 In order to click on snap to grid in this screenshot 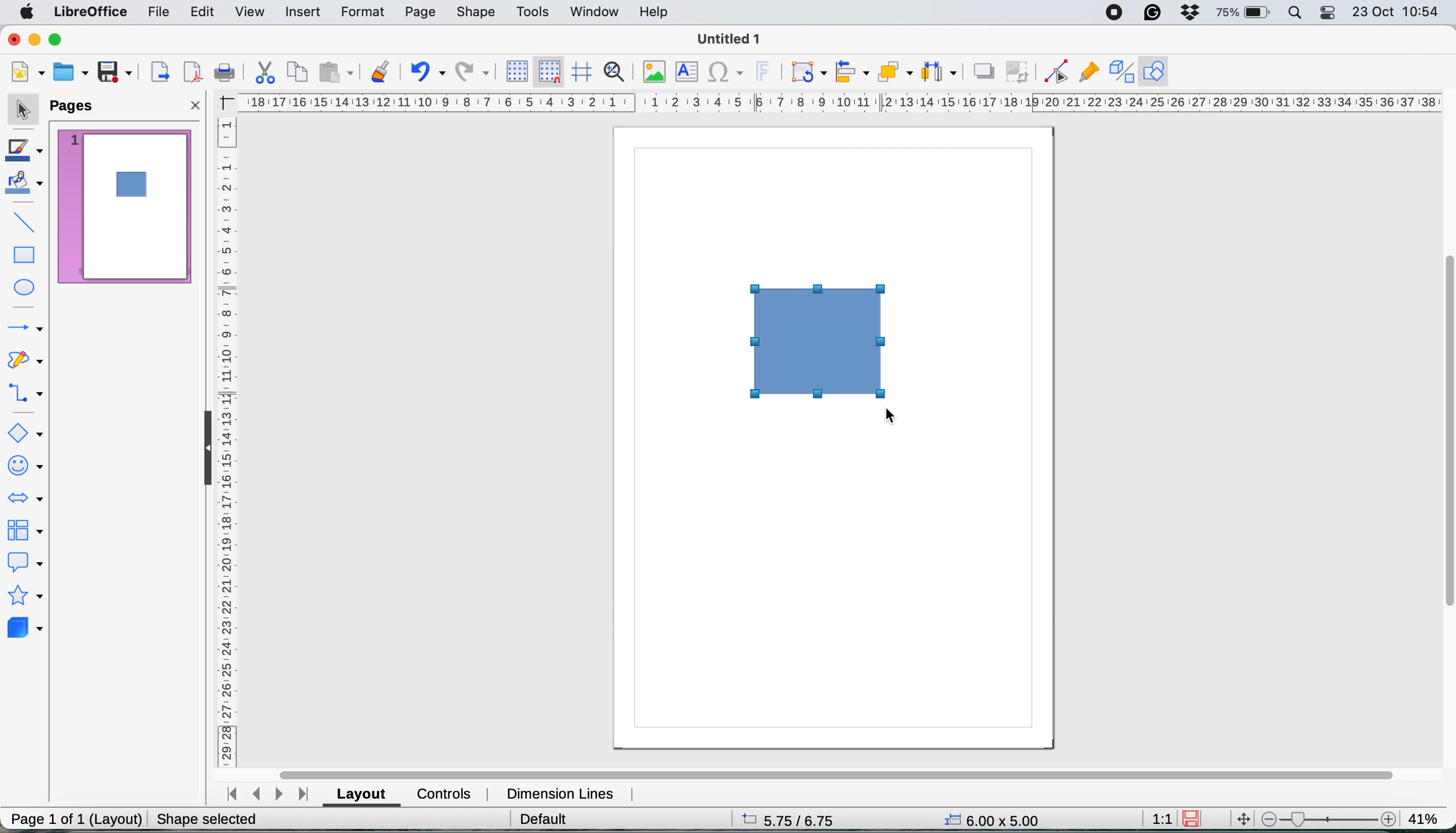, I will do `click(549, 71)`.